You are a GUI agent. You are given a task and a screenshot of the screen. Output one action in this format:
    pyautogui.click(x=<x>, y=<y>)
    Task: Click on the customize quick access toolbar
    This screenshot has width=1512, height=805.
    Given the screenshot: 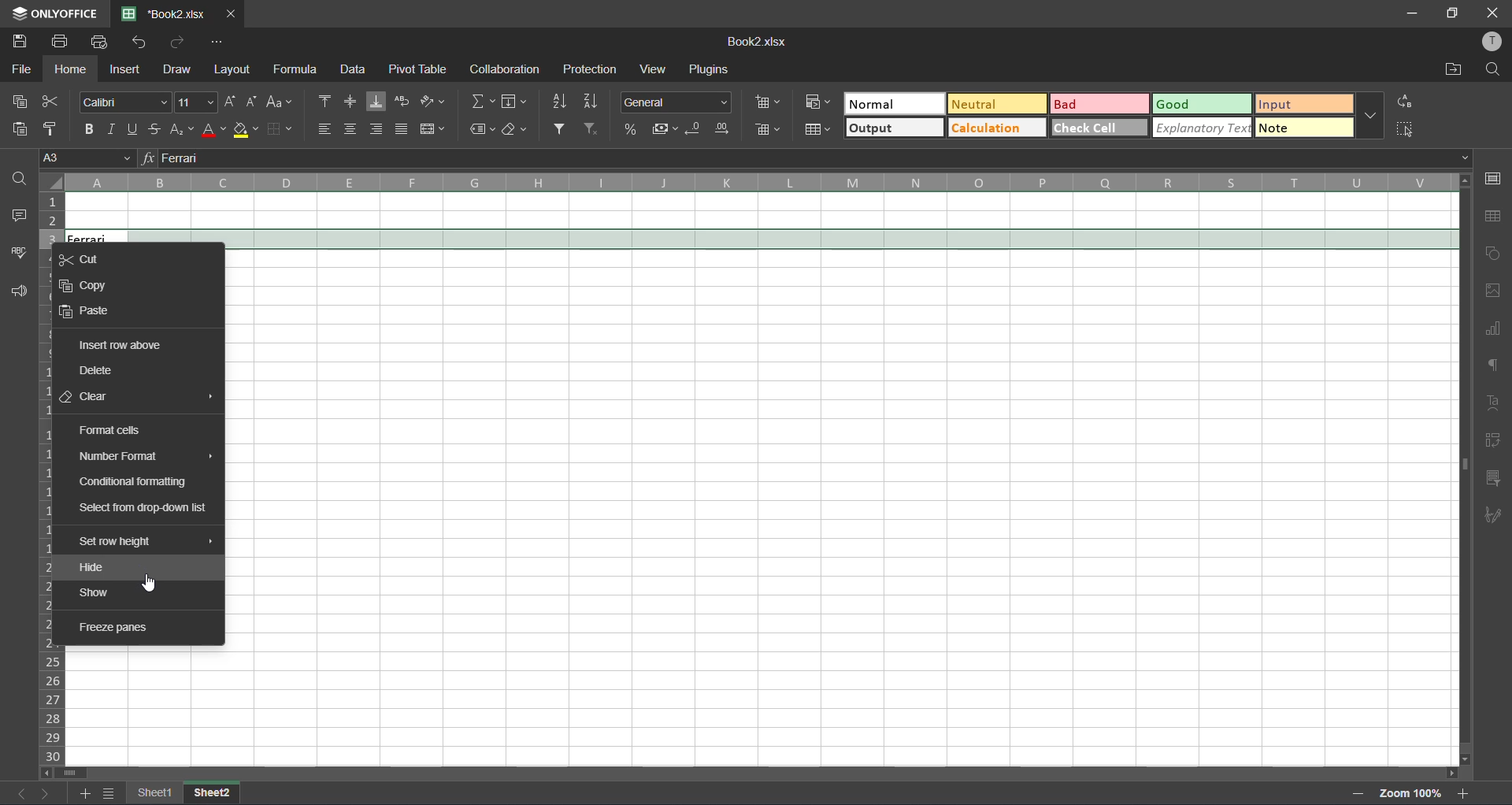 What is the action you would take?
    pyautogui.click(x=220, y=43)
    